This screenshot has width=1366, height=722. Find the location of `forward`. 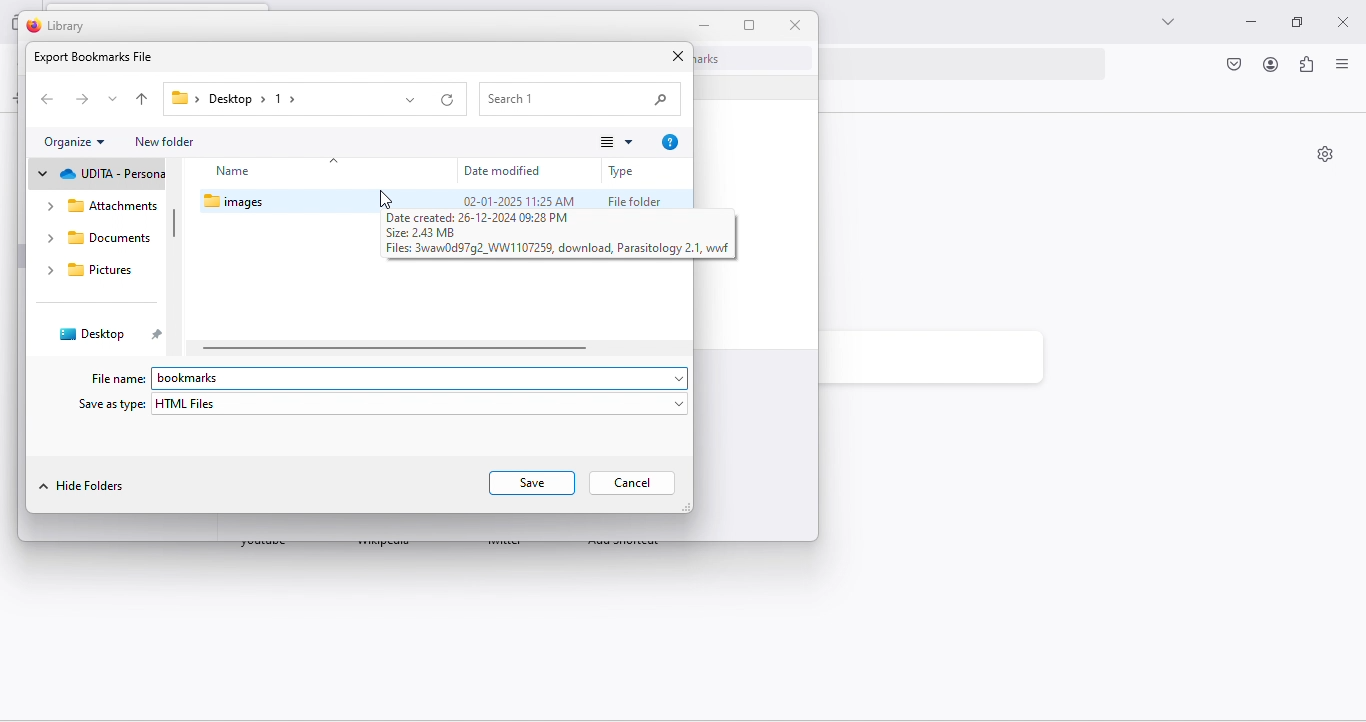

forward is located at coordinates (82, 101).